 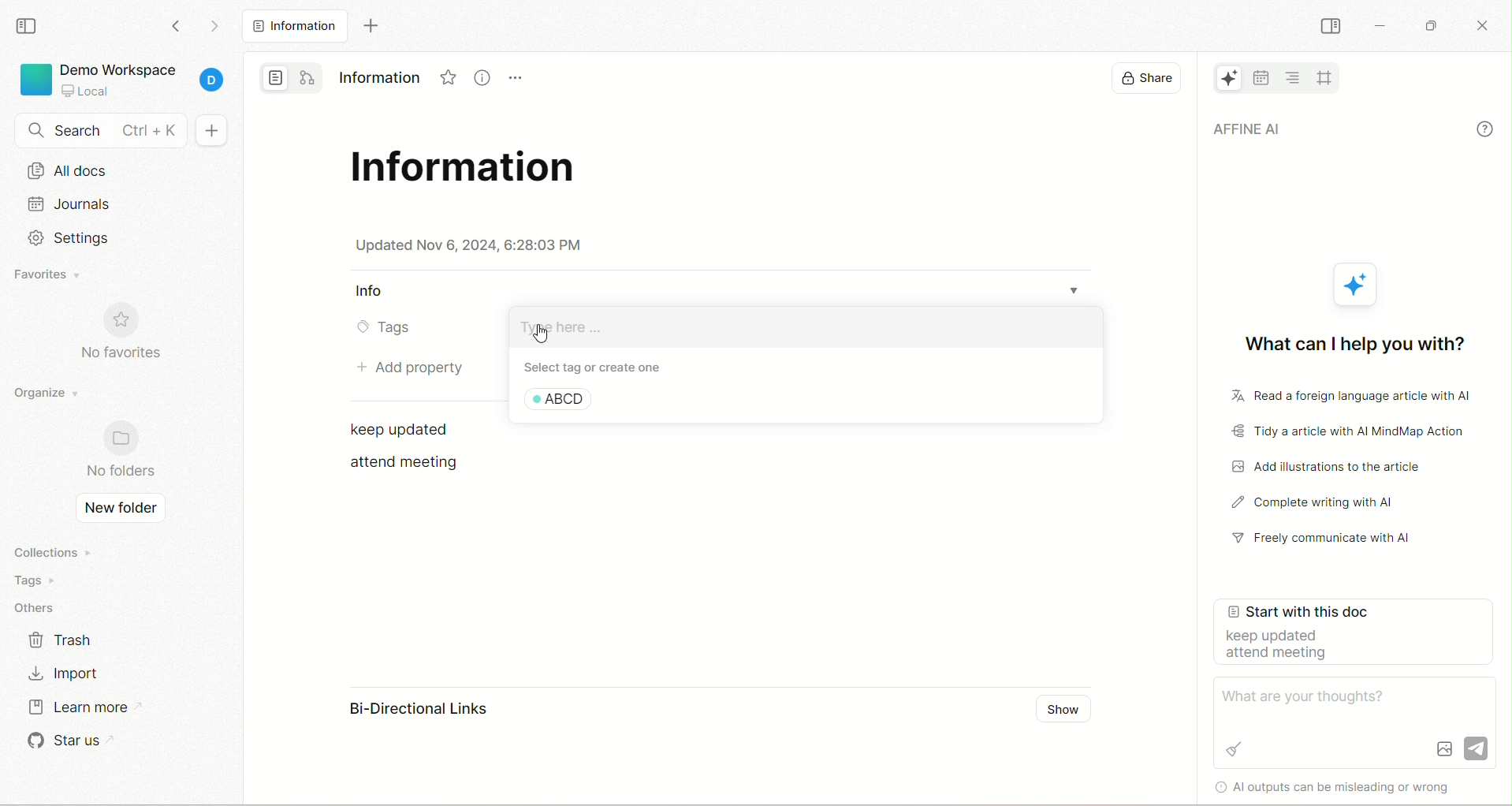 What do you see at coordinates (376, 78) in the screenshot?
I see `Information` at bounding box center [376, 78].